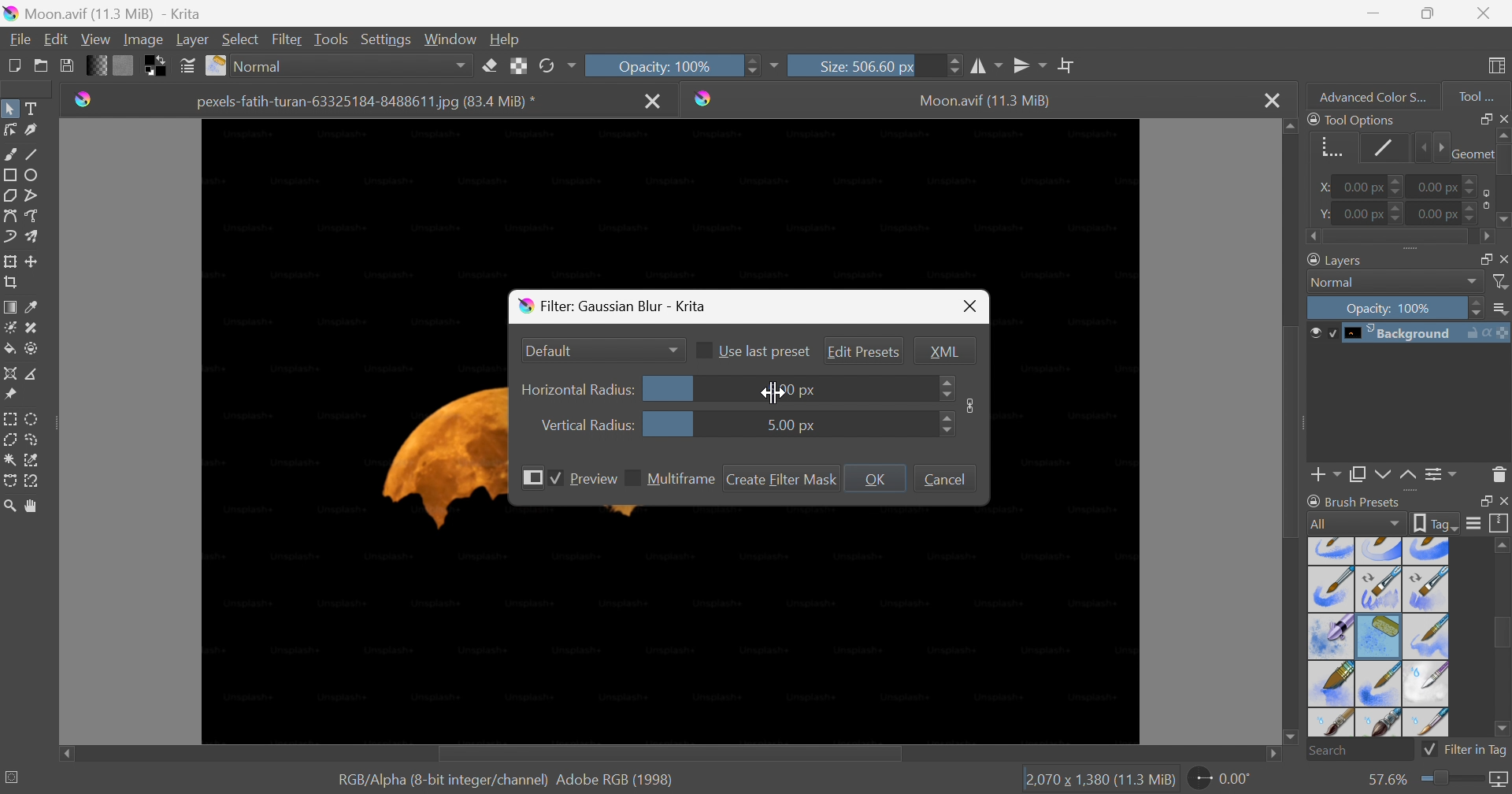 The height and width of the screenshot is (794, 1512). I want to click on Horizontal mirror tool, so click(986, 66).